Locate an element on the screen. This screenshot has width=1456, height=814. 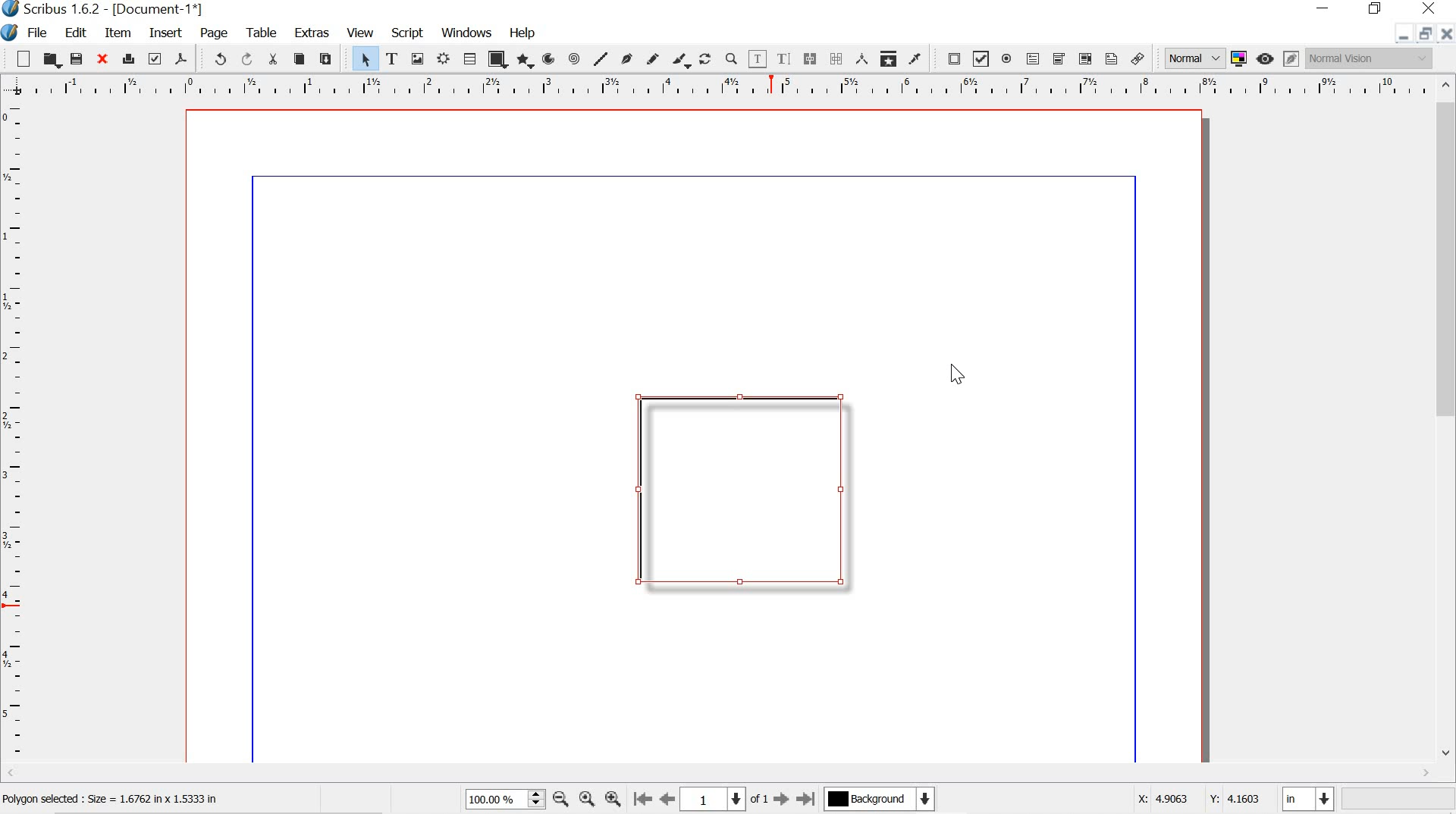
save as pdf is located at coordinates (180, 58).